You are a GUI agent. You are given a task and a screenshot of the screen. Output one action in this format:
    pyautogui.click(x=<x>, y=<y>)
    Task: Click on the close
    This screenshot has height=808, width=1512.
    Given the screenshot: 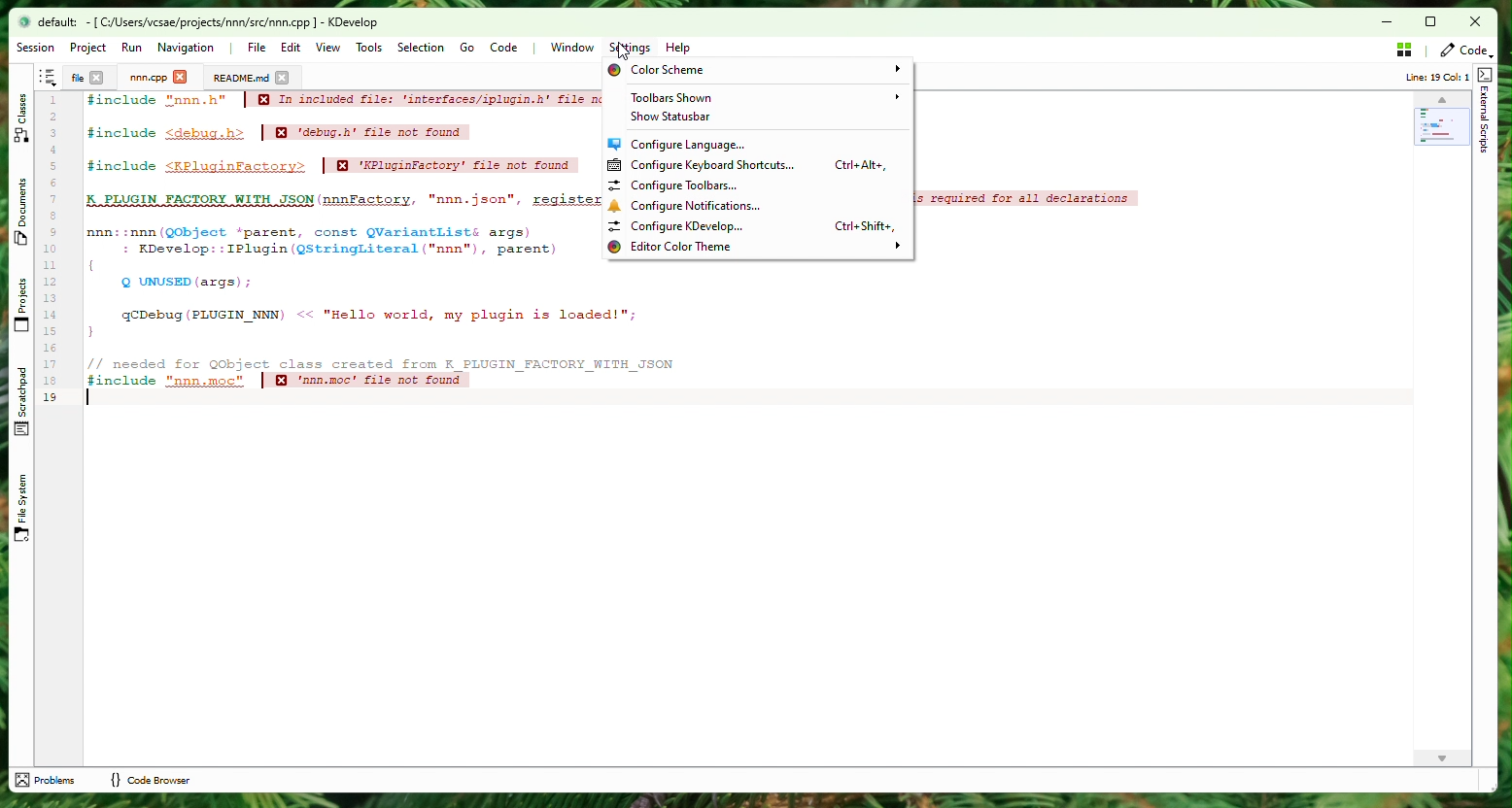 What is the action you would take?
    pyautogui.click(x=98, y=78)
    